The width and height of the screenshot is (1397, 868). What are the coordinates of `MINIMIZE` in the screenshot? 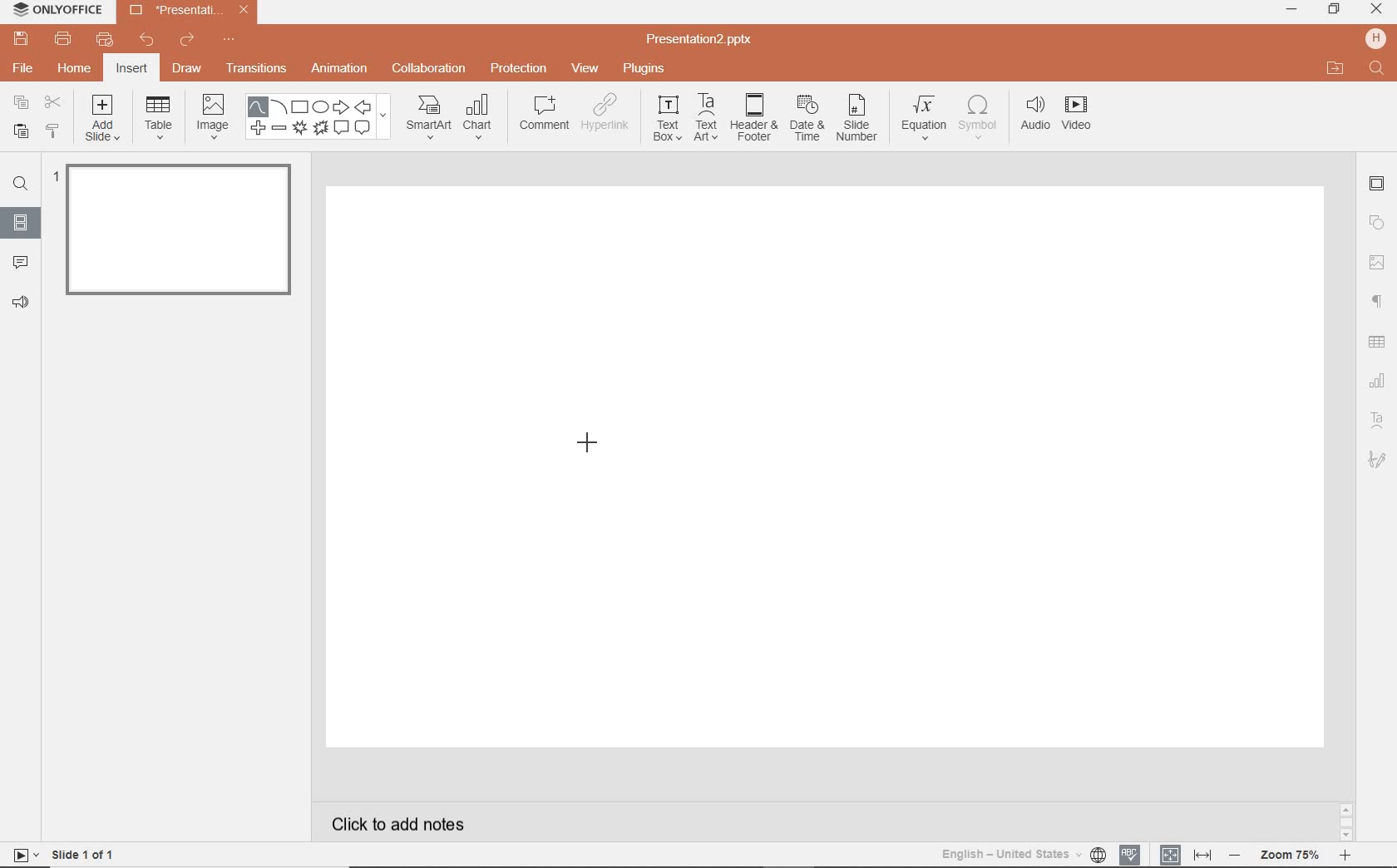 It's located at (1291, 10).